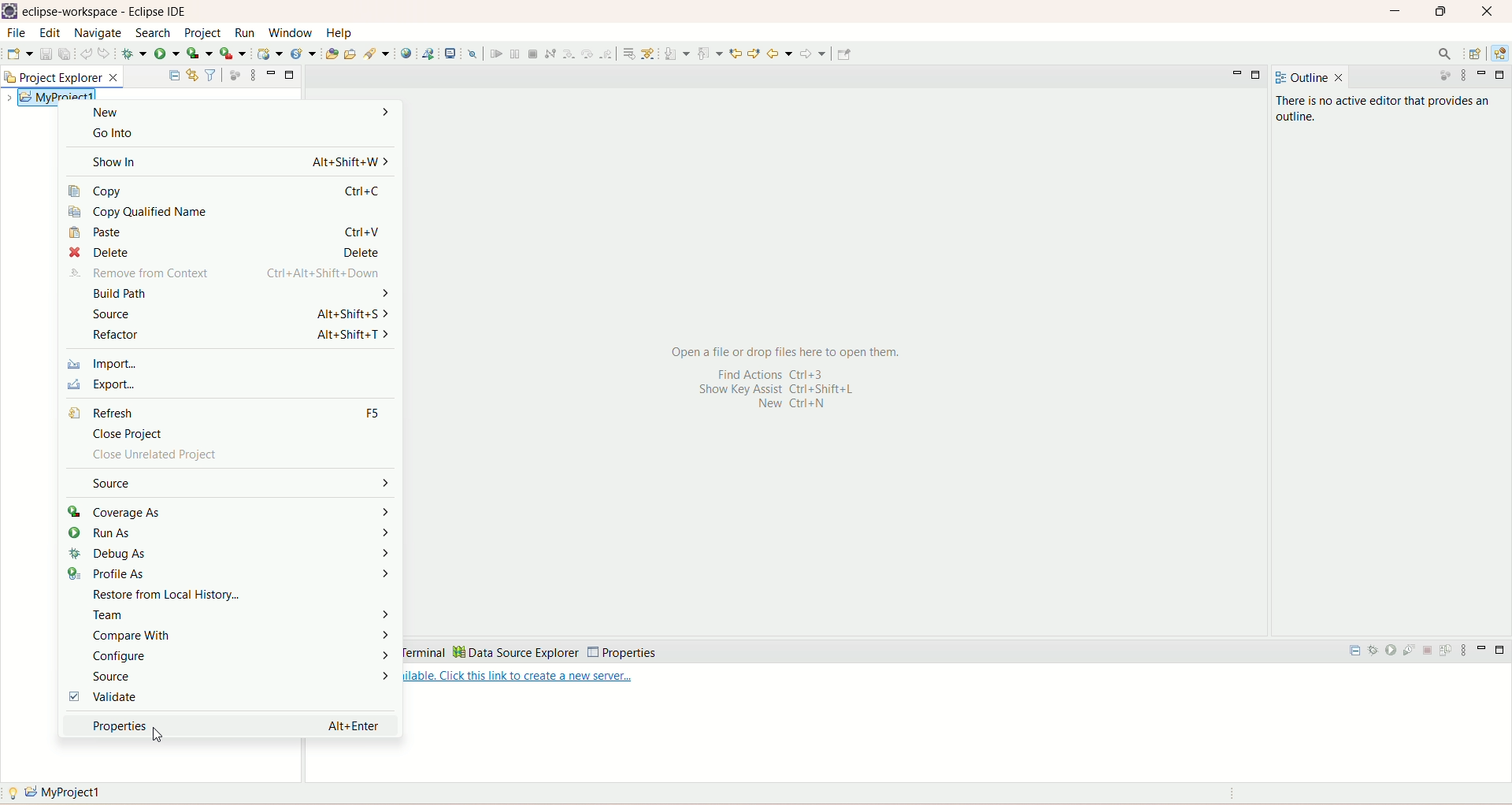 The width and height of the screenshot is (1512, 805). Describe the element at coordinates (1257, 74) in the screenshot. I see `maximize` at that location.